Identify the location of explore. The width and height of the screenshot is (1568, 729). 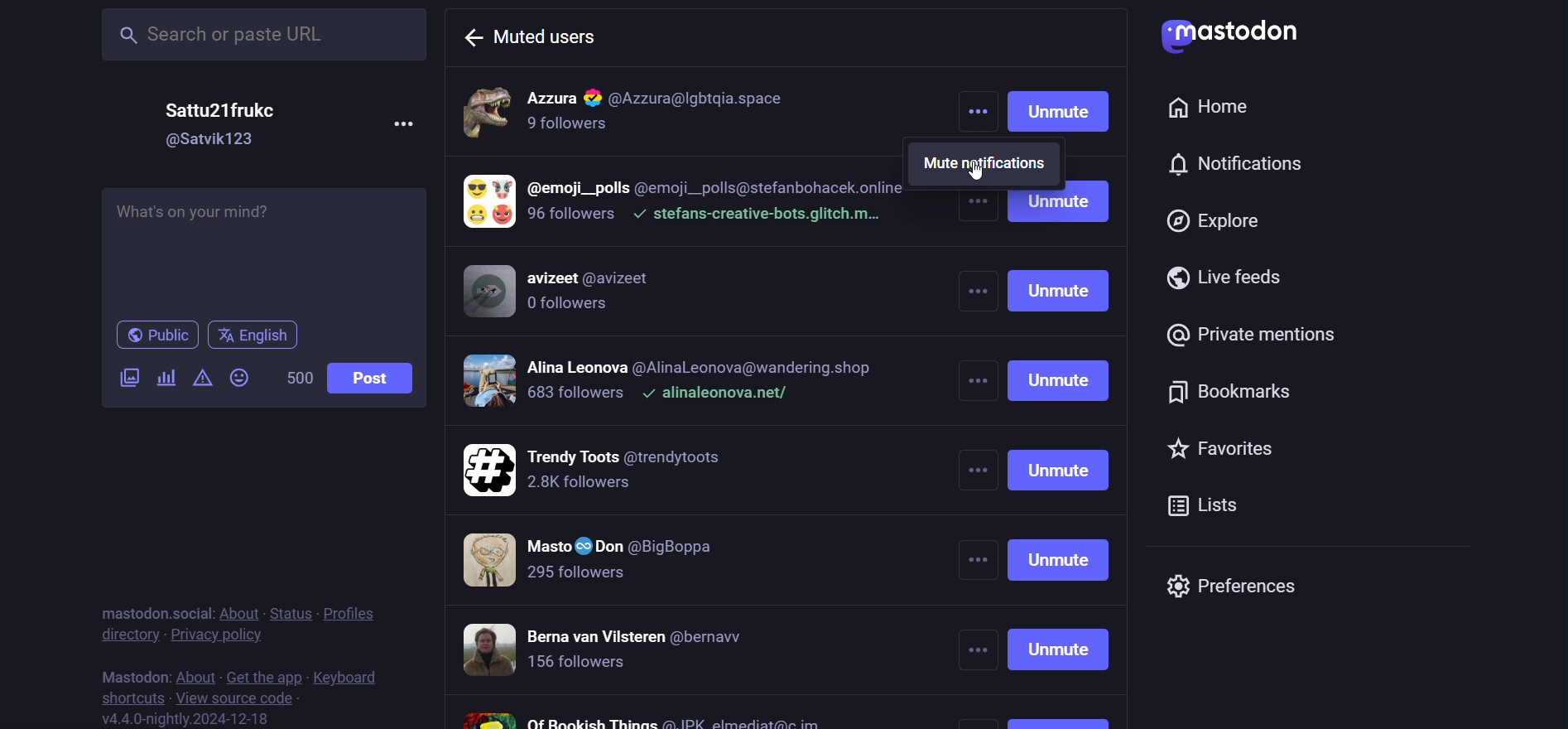
(1217, 220).